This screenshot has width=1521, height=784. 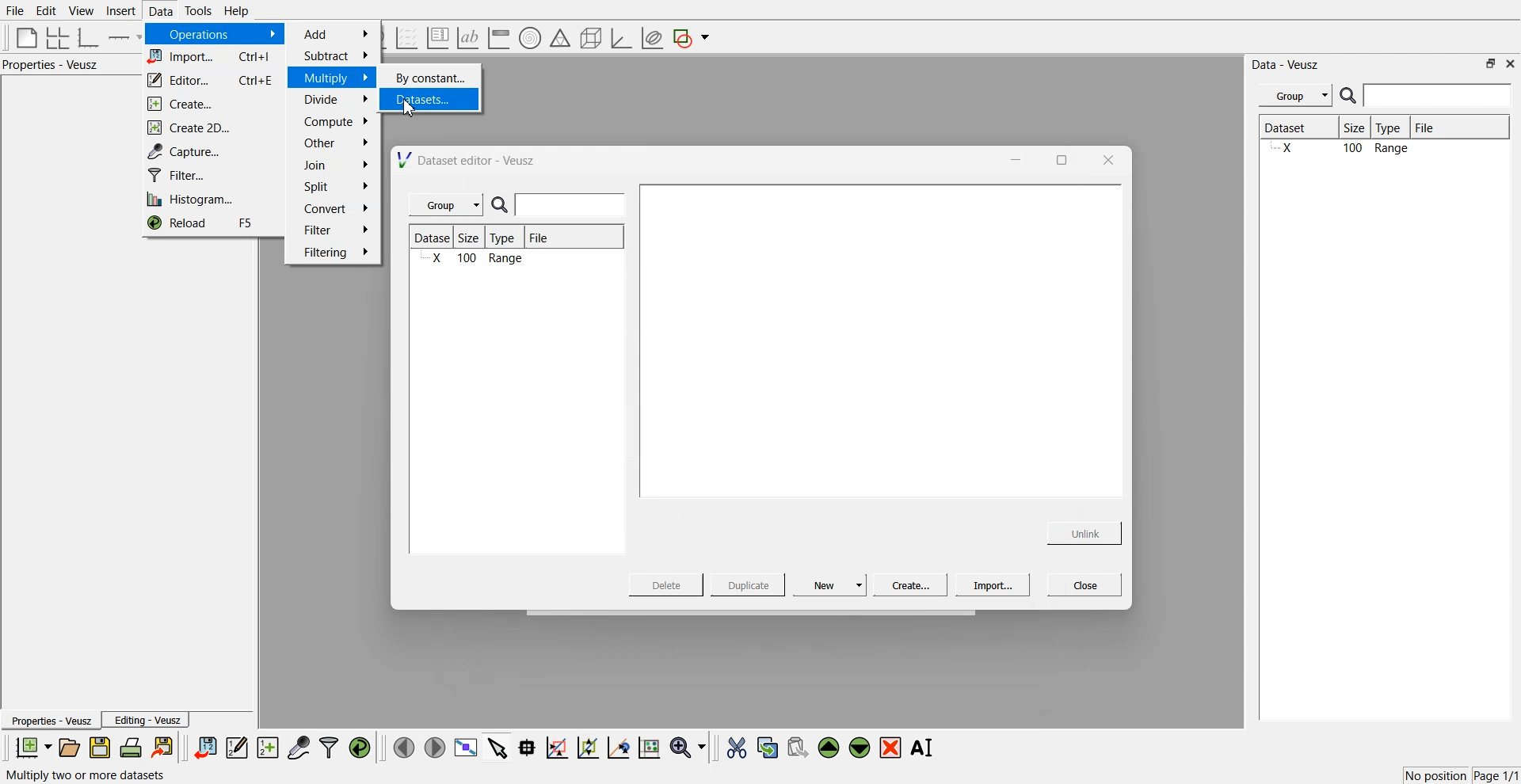 What do you see at coordinates (23, 36) in the screenshot?
I see `blank page` at bounding box center [23, 36].